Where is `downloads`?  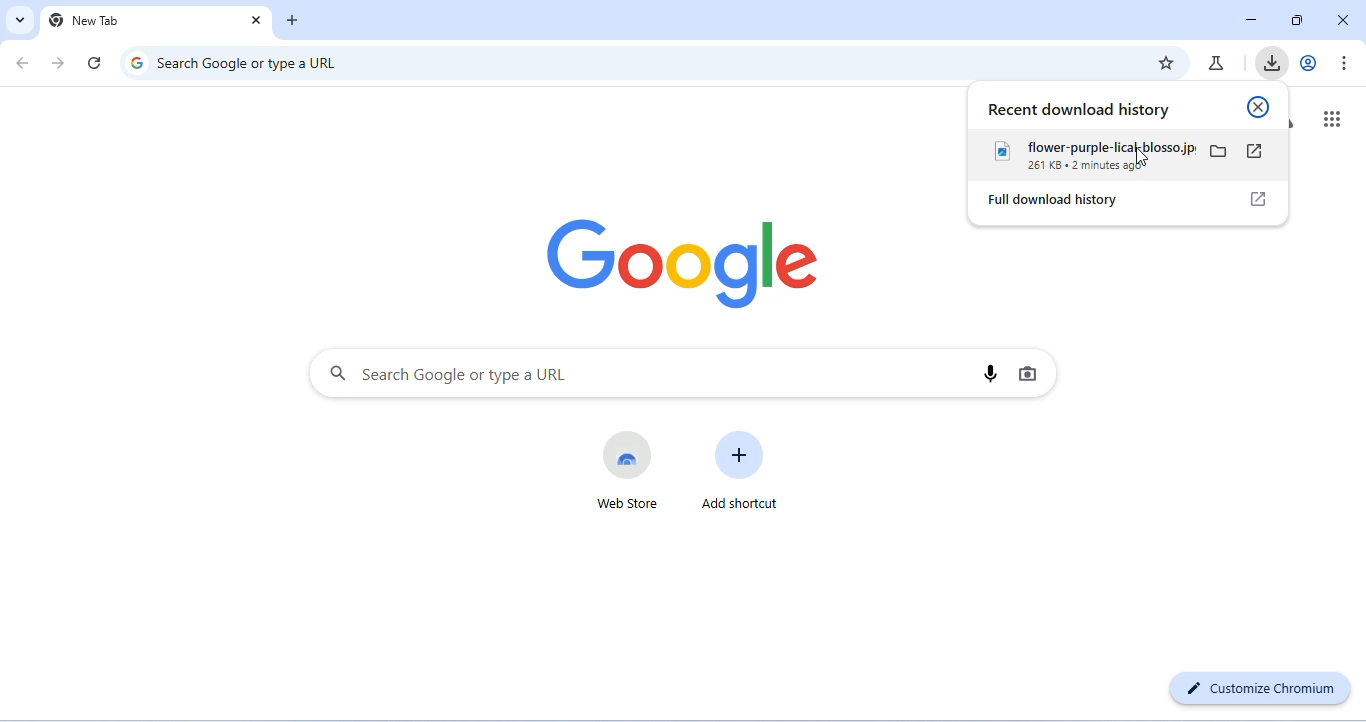
downloads is located at coordinates (1272, 62).